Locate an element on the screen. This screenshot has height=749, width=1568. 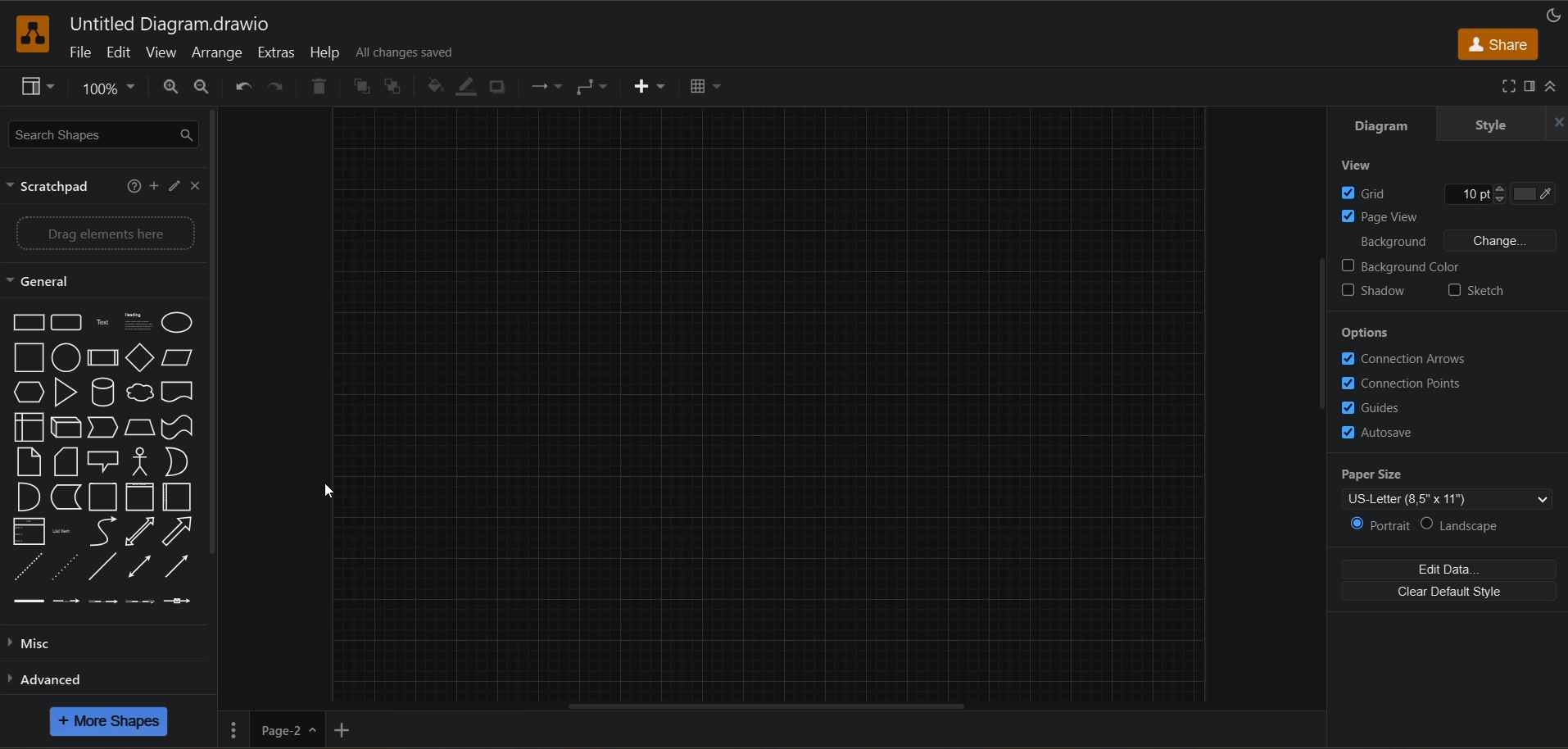
vertical scroll bar is located at coordinates (1324, 337).